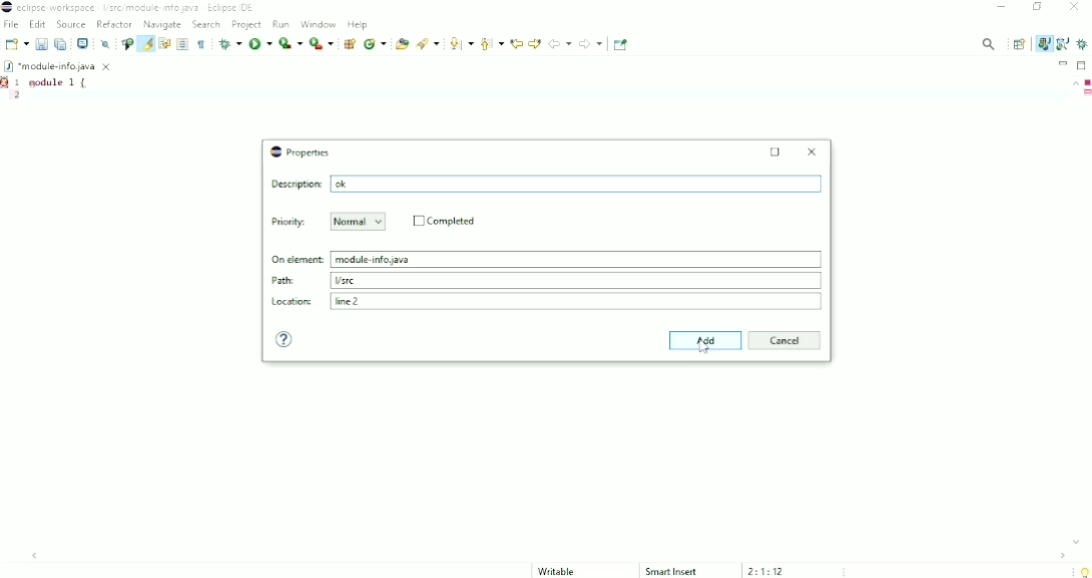 The image size is (1092, 578). What do you see at coordinates (201, 44) in the screenshot?
I see `Show whitespace characters` at bounding box center [201, 44].